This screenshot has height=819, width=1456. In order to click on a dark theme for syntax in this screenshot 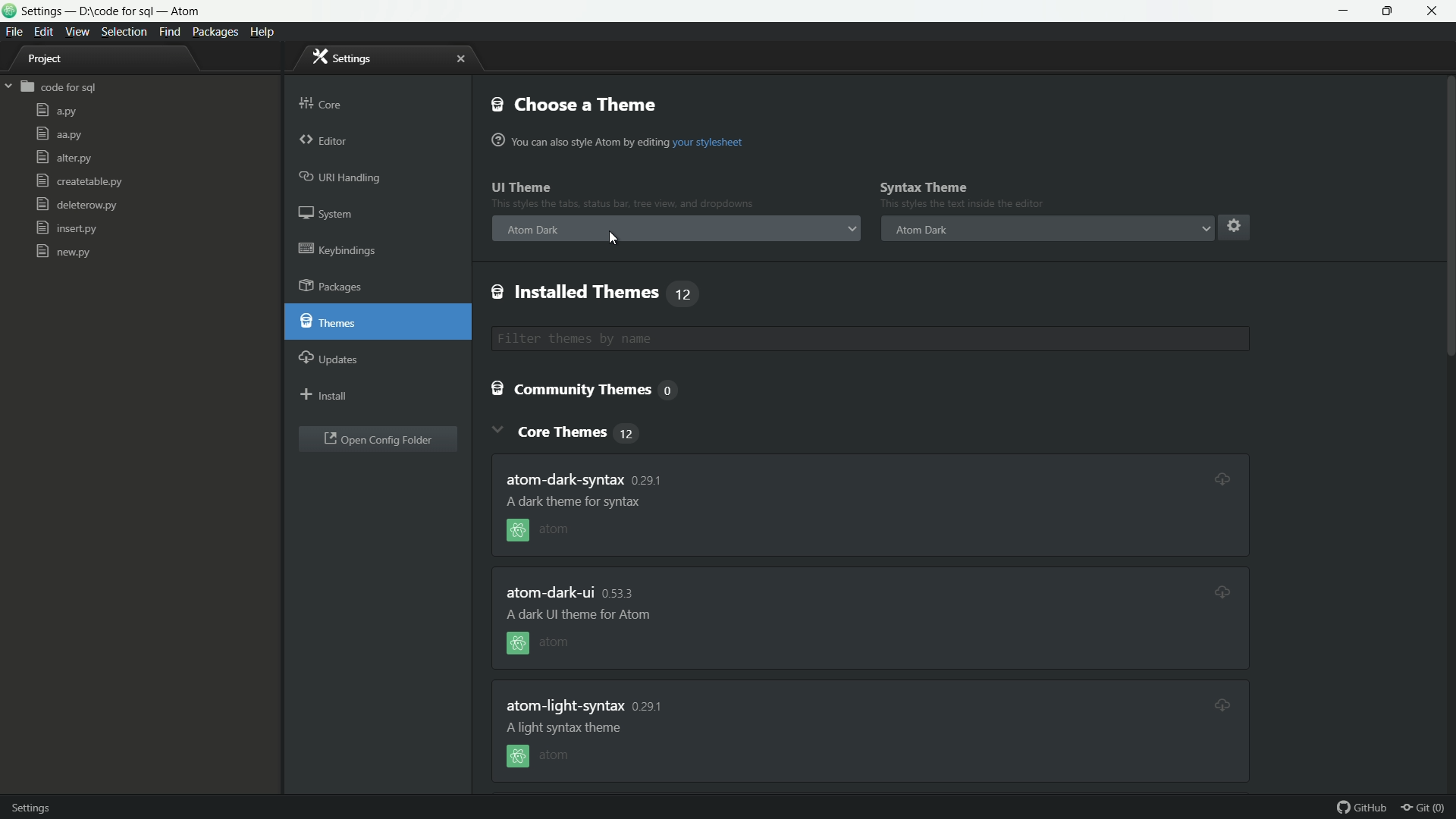, I will do `click(567, 727)`.